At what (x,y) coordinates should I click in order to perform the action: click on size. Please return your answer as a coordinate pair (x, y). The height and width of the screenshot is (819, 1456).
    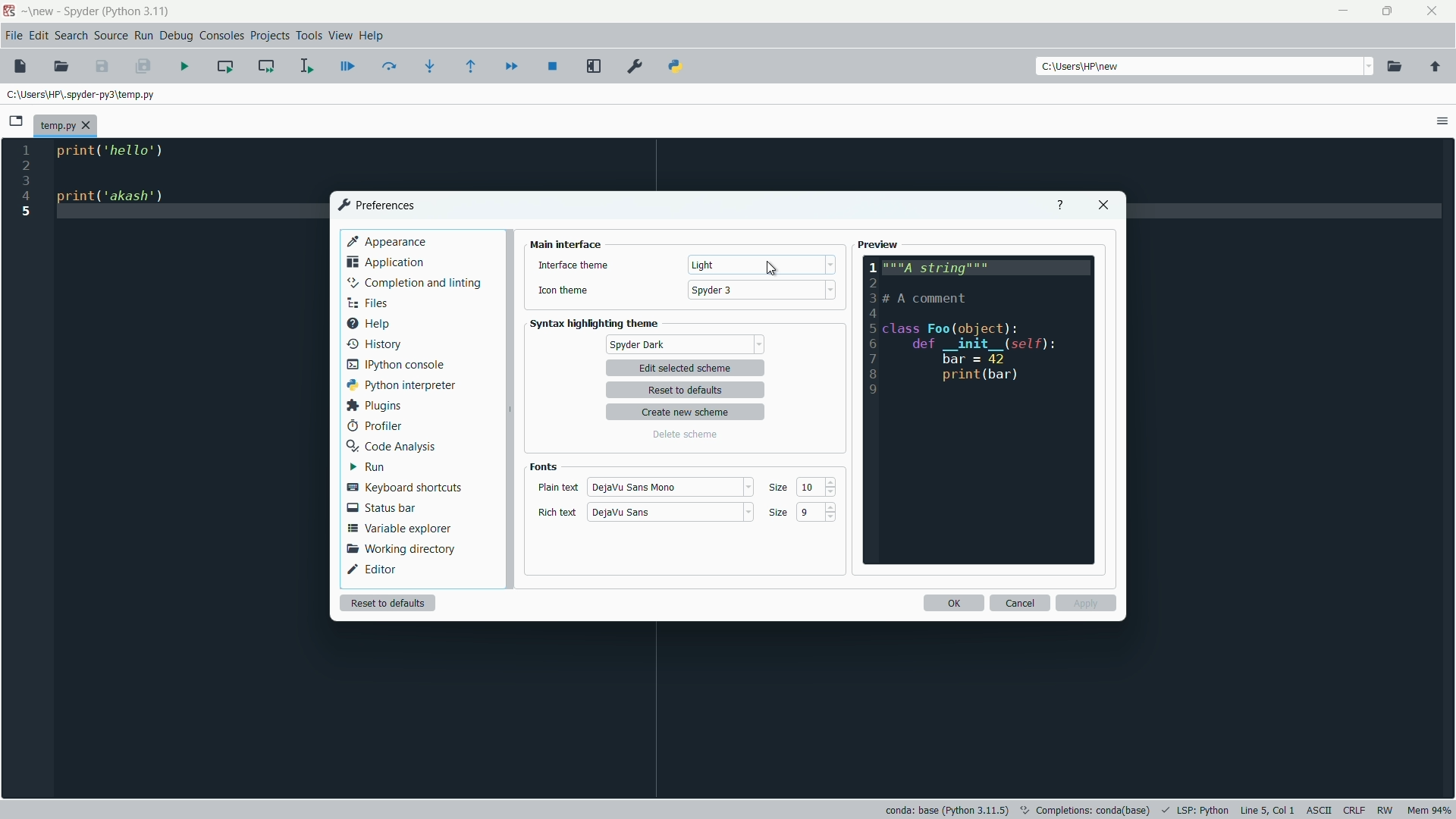
    Looking at the image, I should click on (780, 489).